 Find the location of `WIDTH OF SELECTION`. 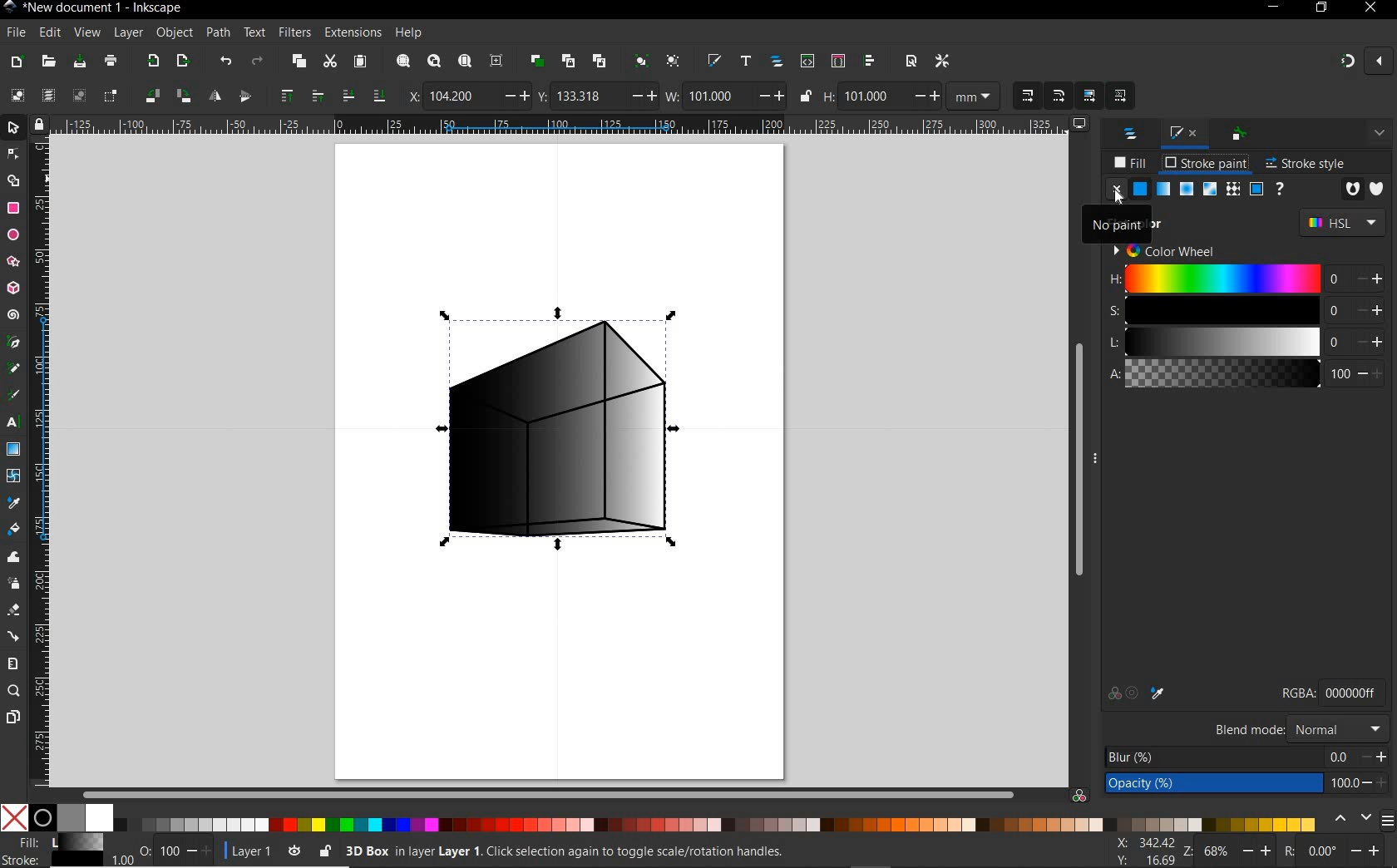

WIDTH OF SELECTION is located at coordinates (673, 94).